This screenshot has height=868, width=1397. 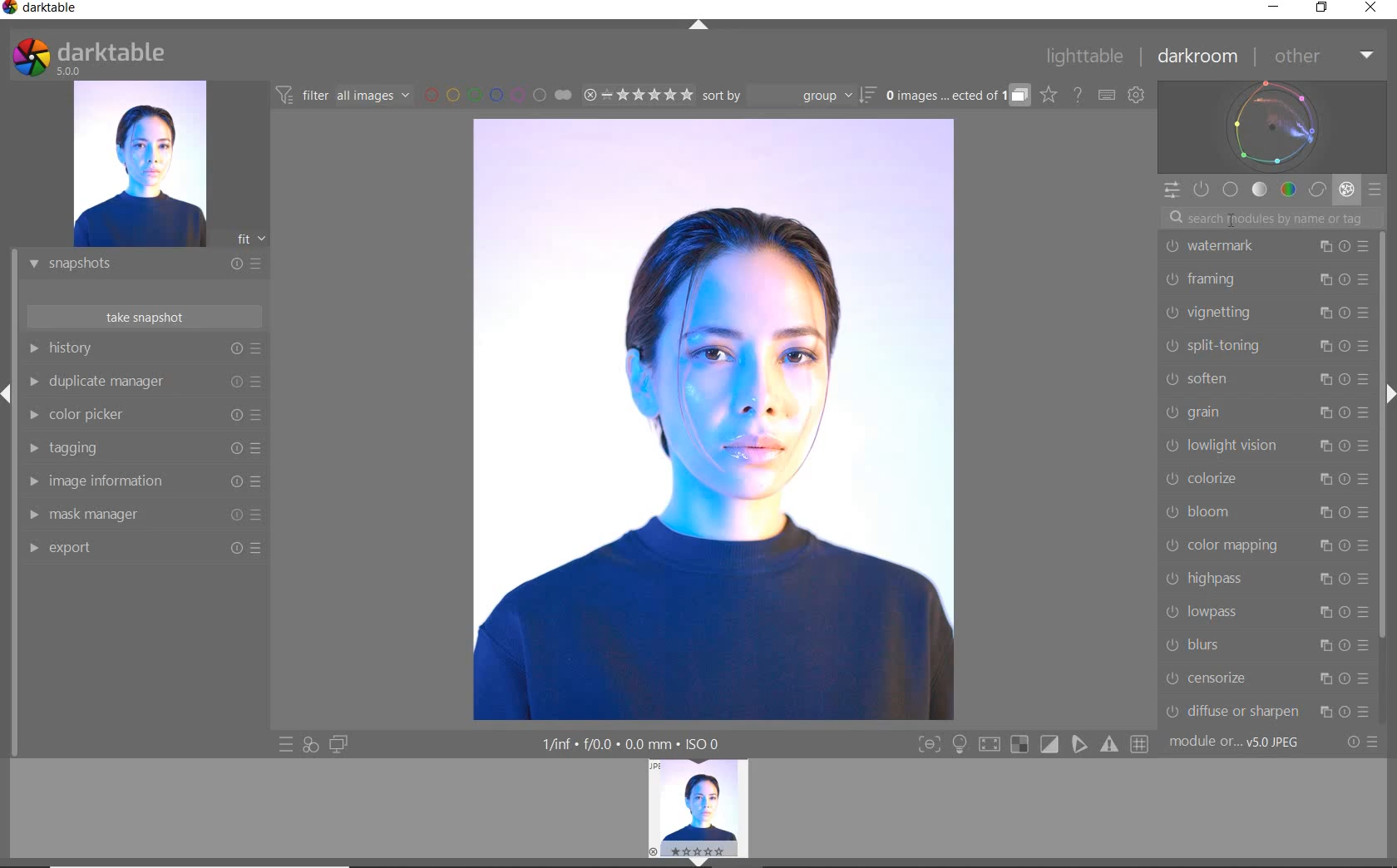 What do you see at coordinates (1050, 745) in the screenshot?
I see `Button` at bounding box center [1050, 745].